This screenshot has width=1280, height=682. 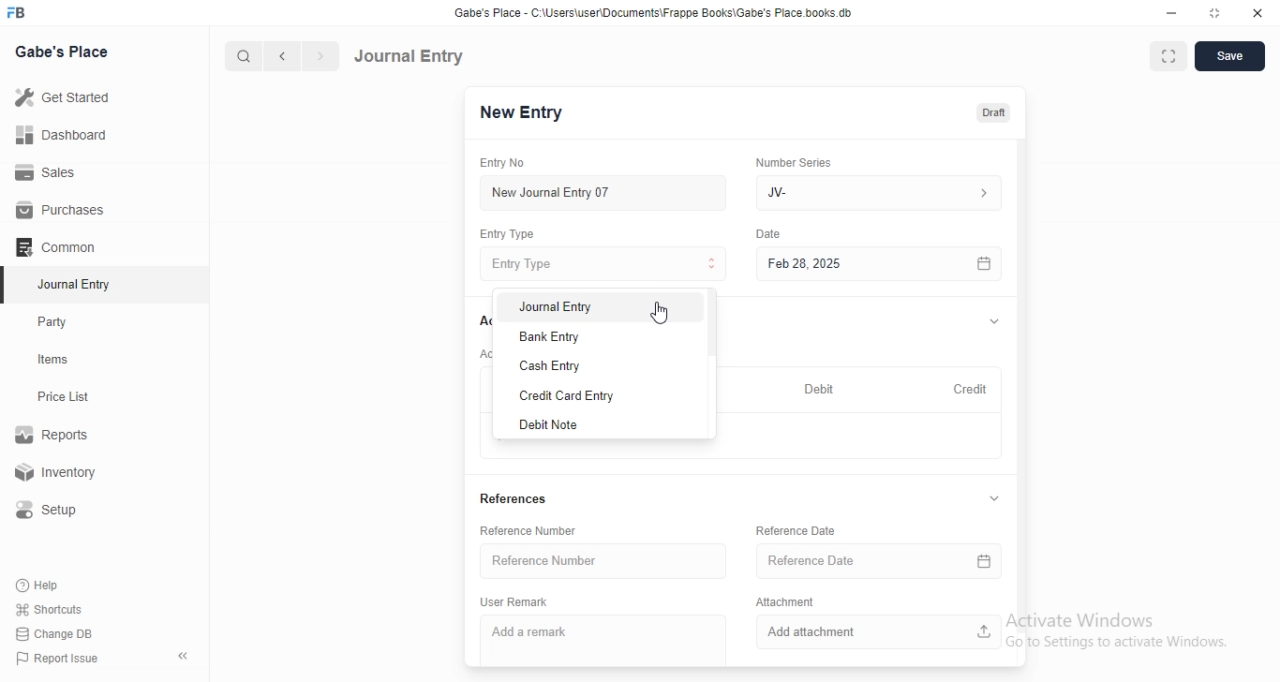 I want to click on Price List, so click(x=62, y=397).